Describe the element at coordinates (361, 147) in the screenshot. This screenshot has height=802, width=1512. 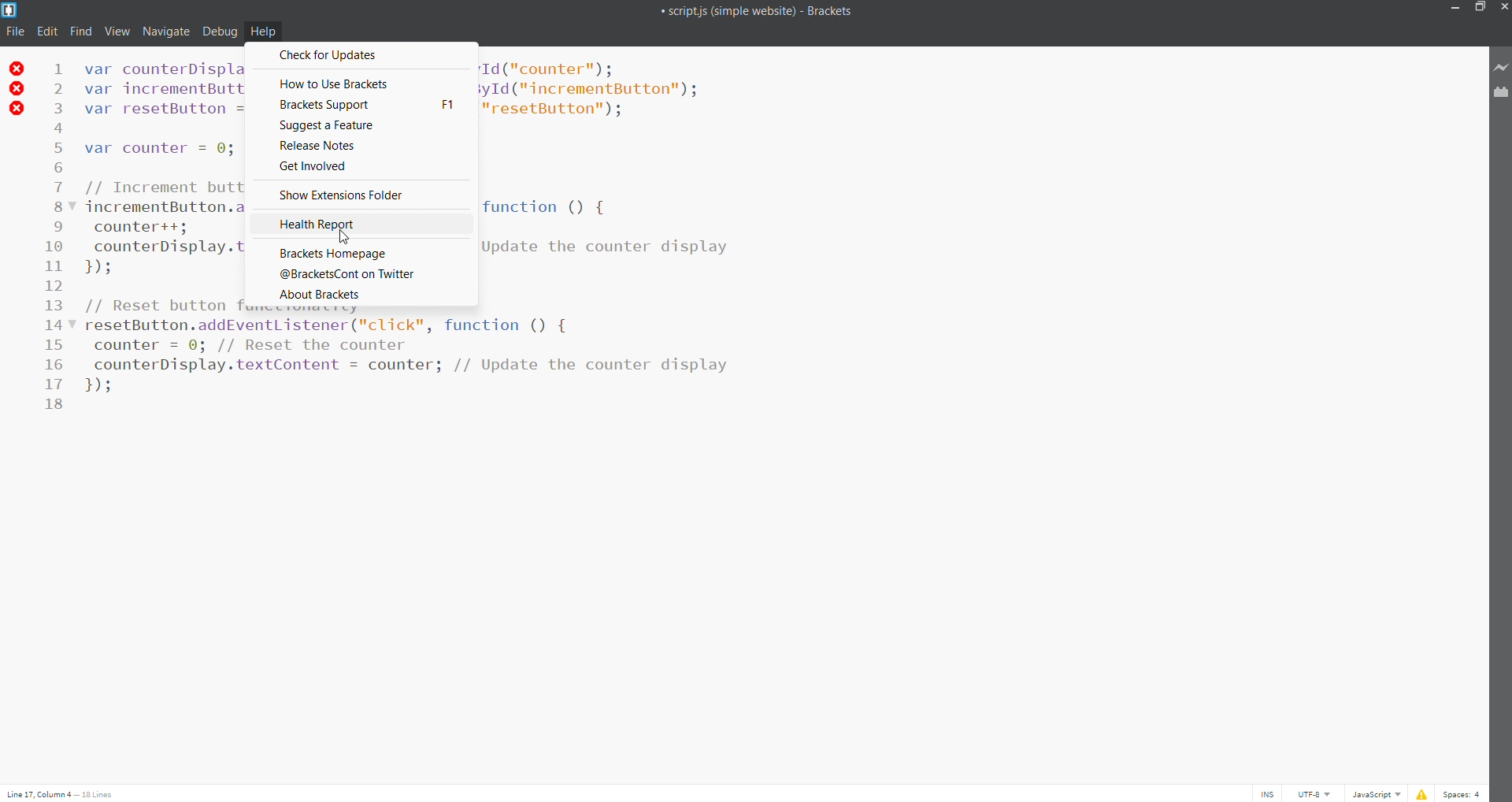
I see `release notes` at that location.